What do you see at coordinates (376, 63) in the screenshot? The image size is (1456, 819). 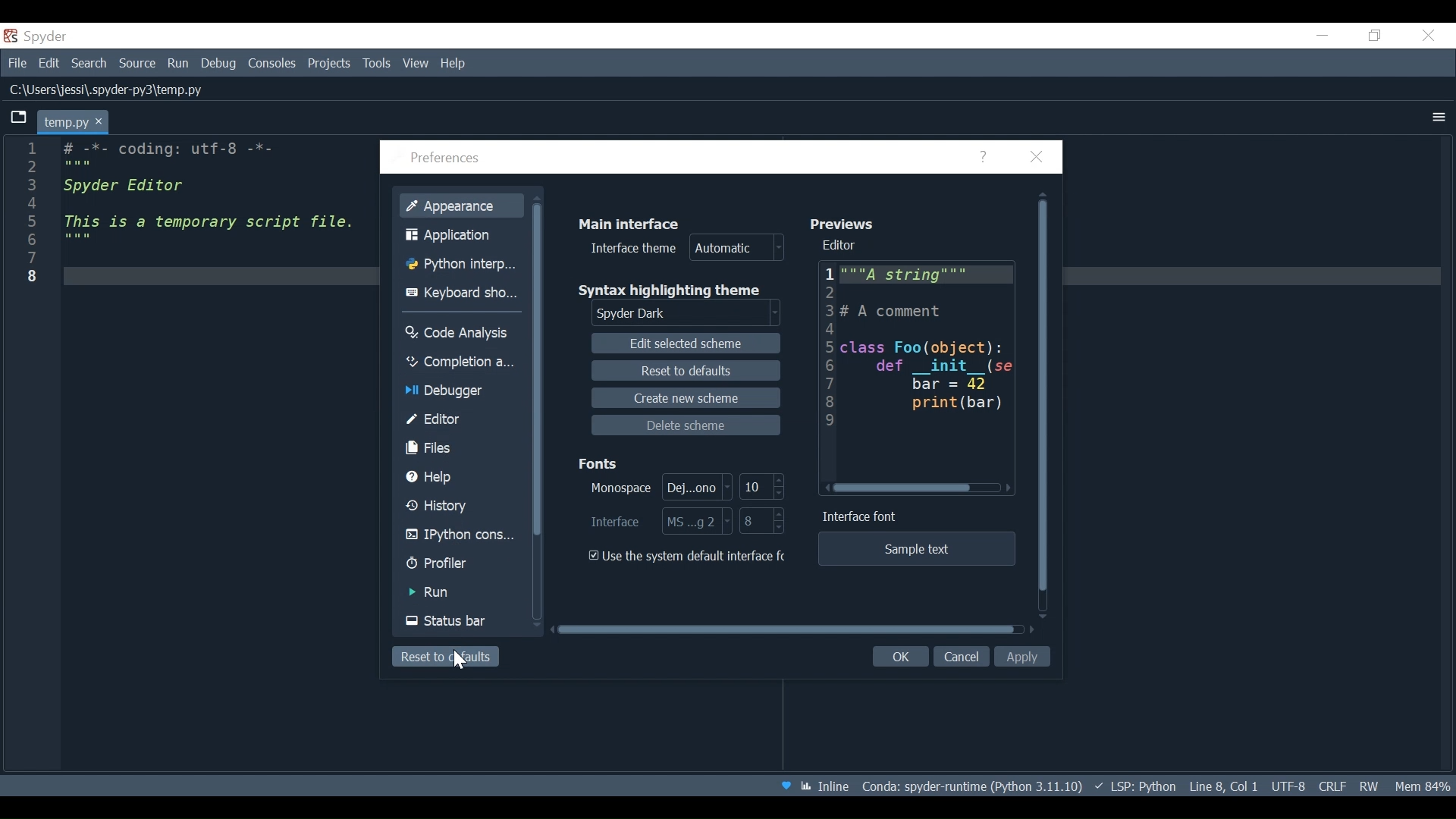 I see `Tools` at bounding box center [376, 63].